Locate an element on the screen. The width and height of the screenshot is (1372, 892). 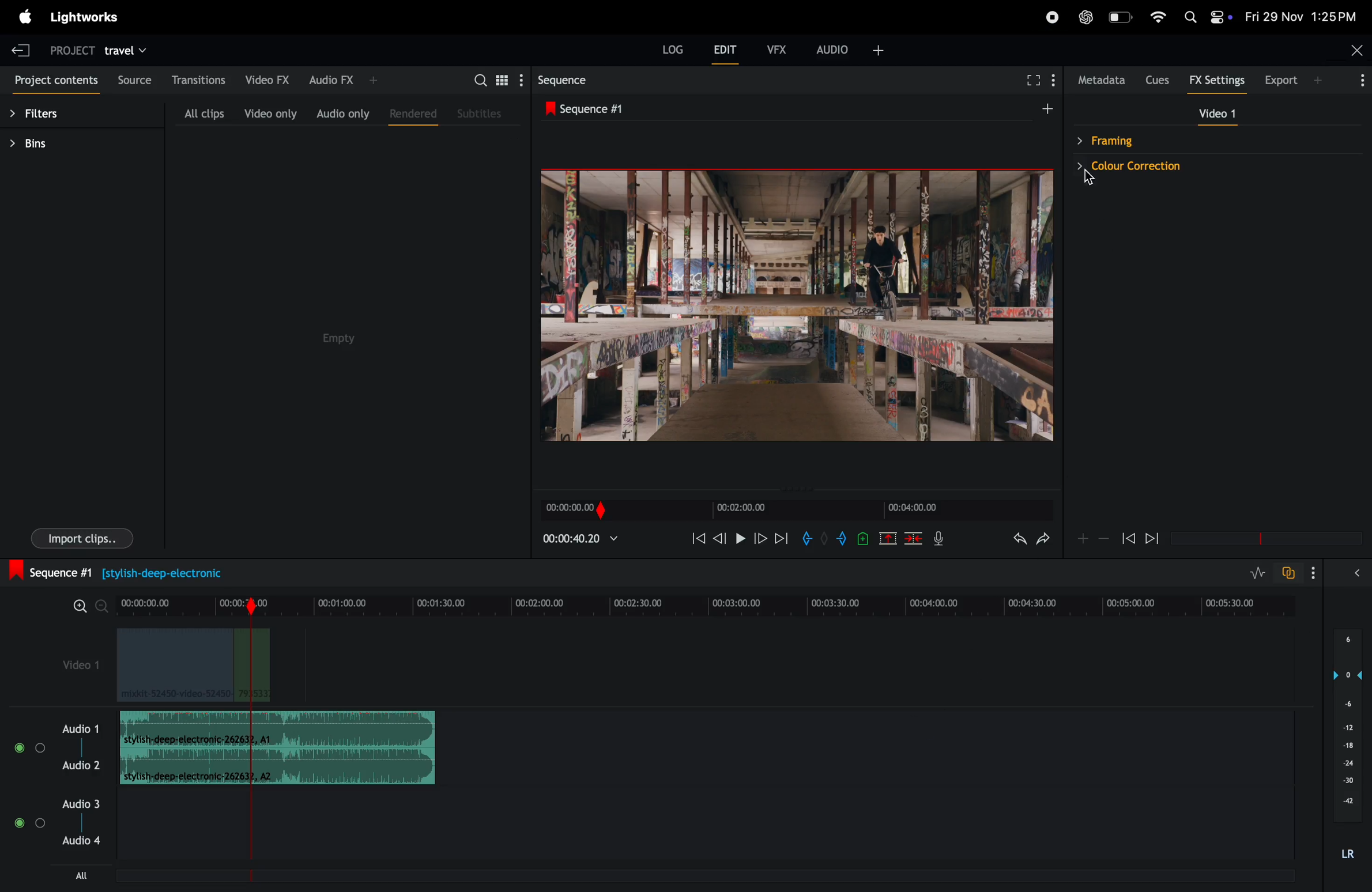
Audio Clip is located at coordinates (277, 765).